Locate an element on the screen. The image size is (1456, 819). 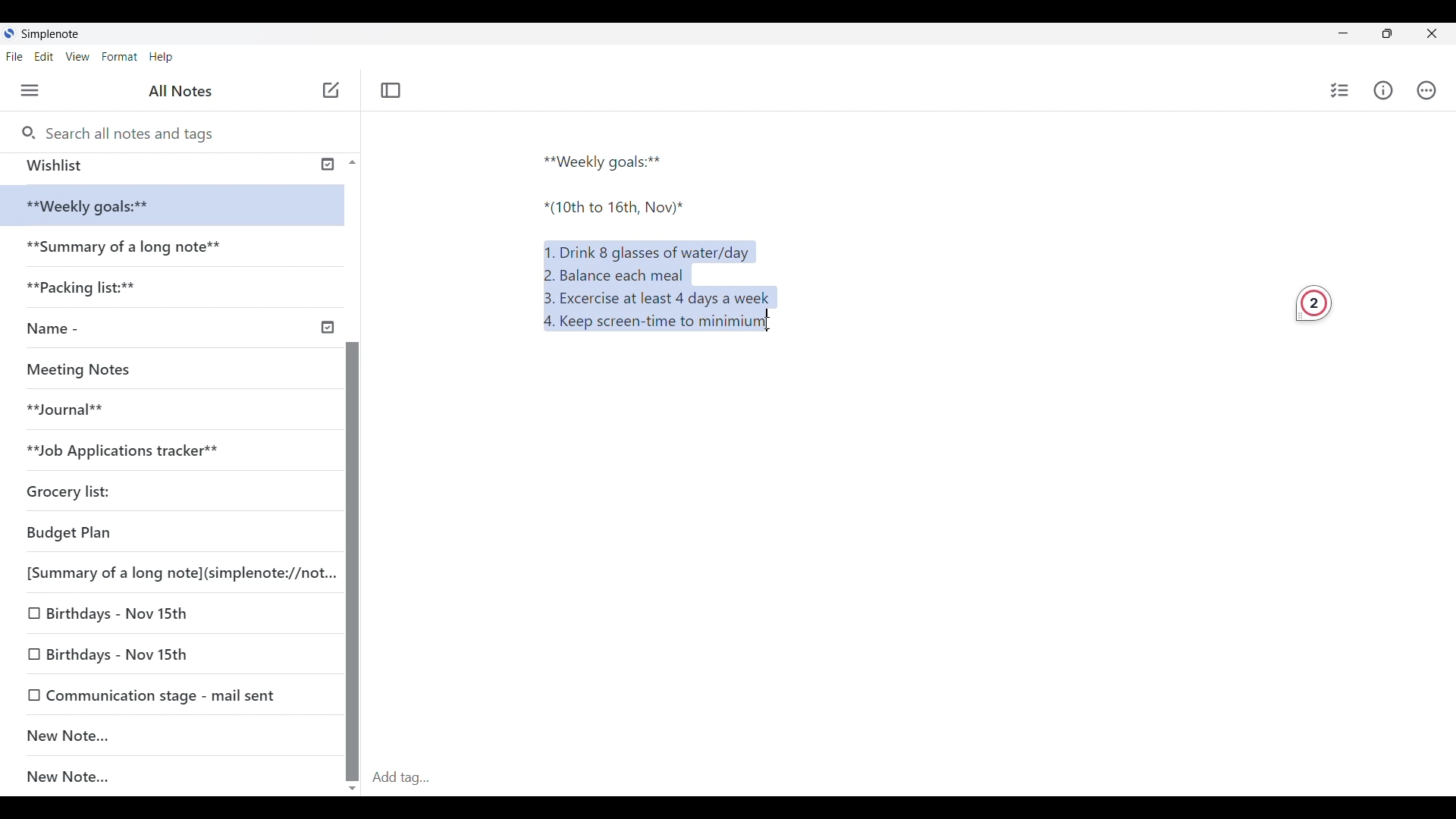
Checklist is located at coordinates (1337, 90).